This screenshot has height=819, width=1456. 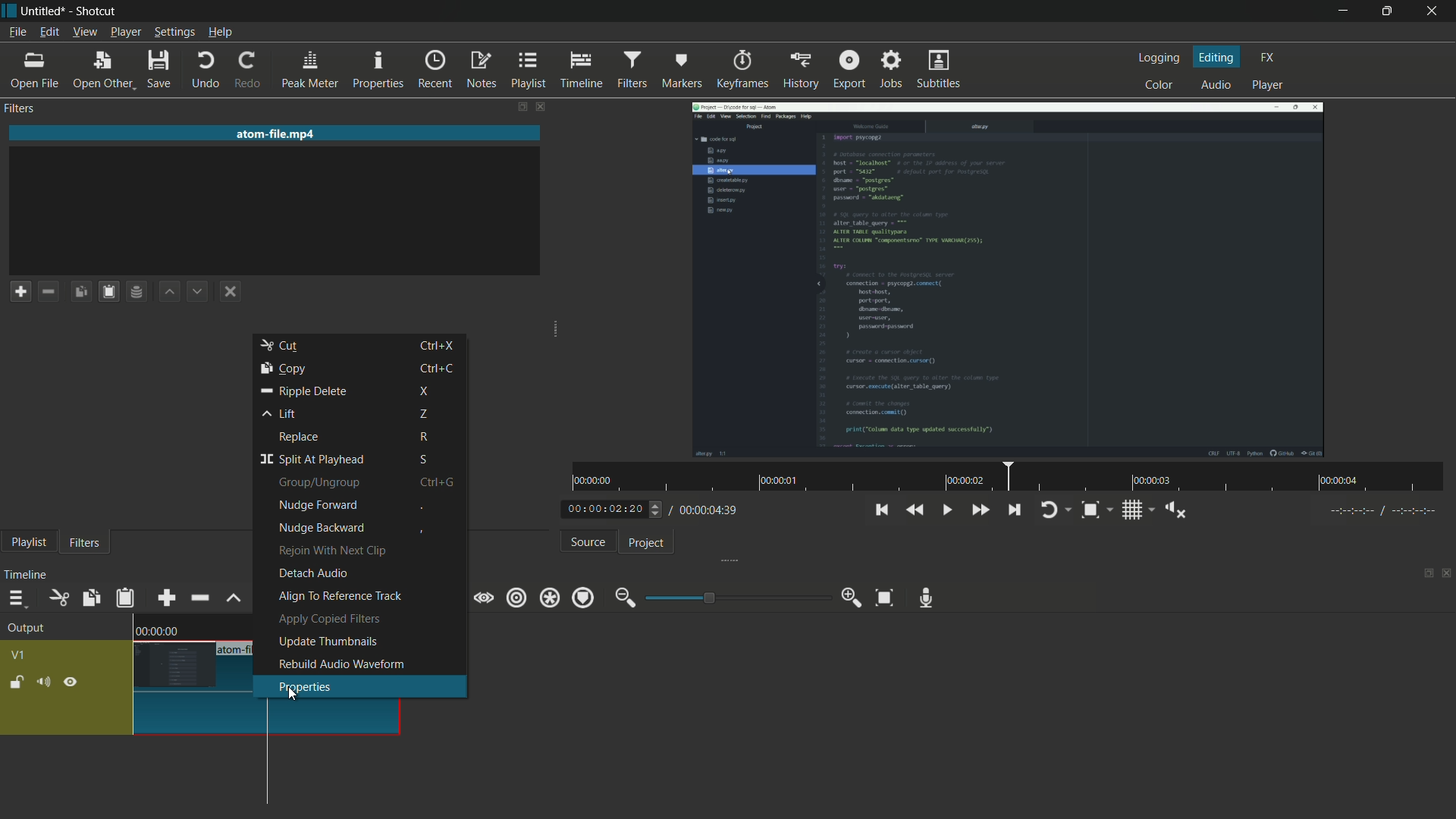 What do you see at coordinates (319, 505) in the screenshot?
I see `nudge forward` at bounding box center [319, 505].